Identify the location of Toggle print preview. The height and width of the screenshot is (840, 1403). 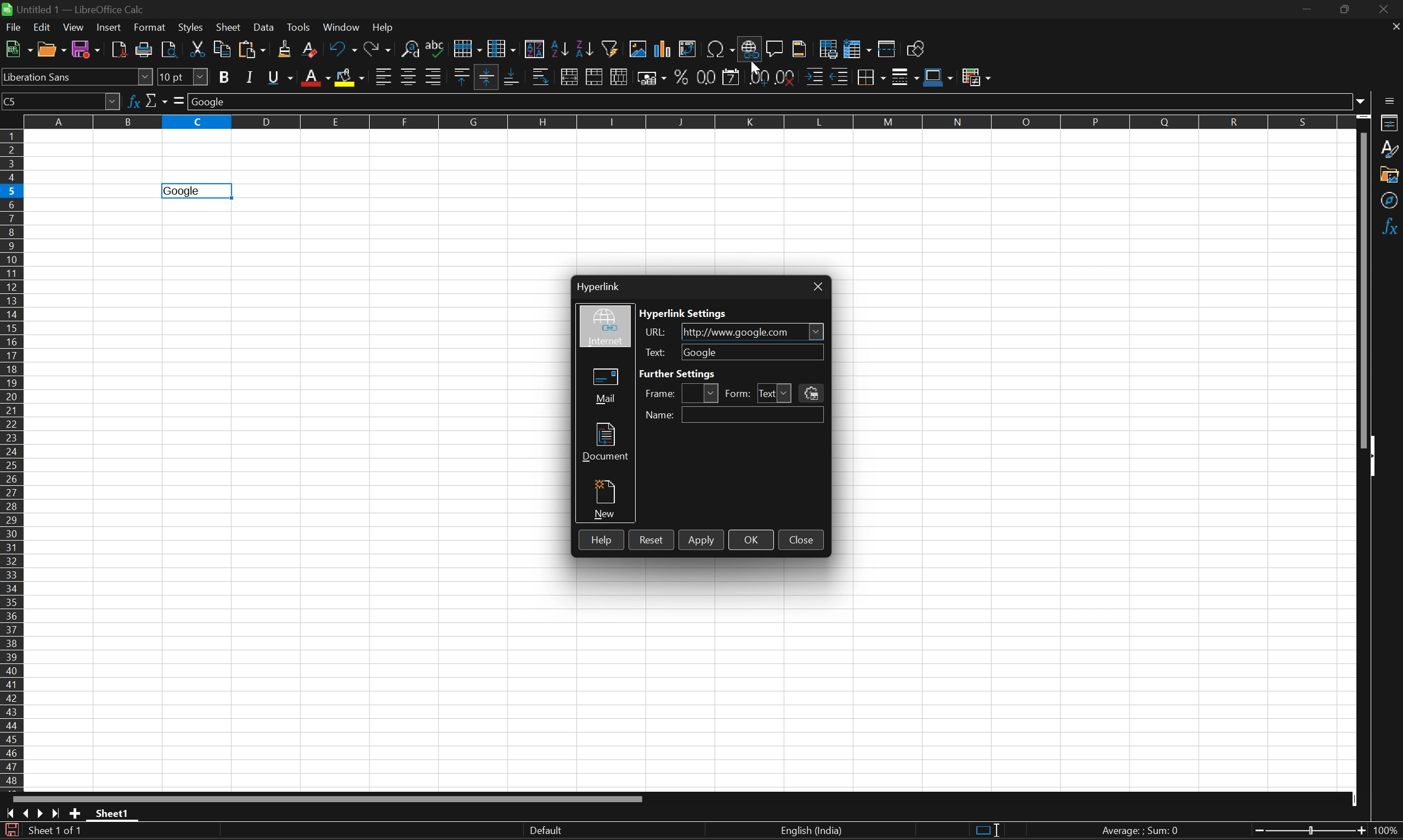
(170, 50).